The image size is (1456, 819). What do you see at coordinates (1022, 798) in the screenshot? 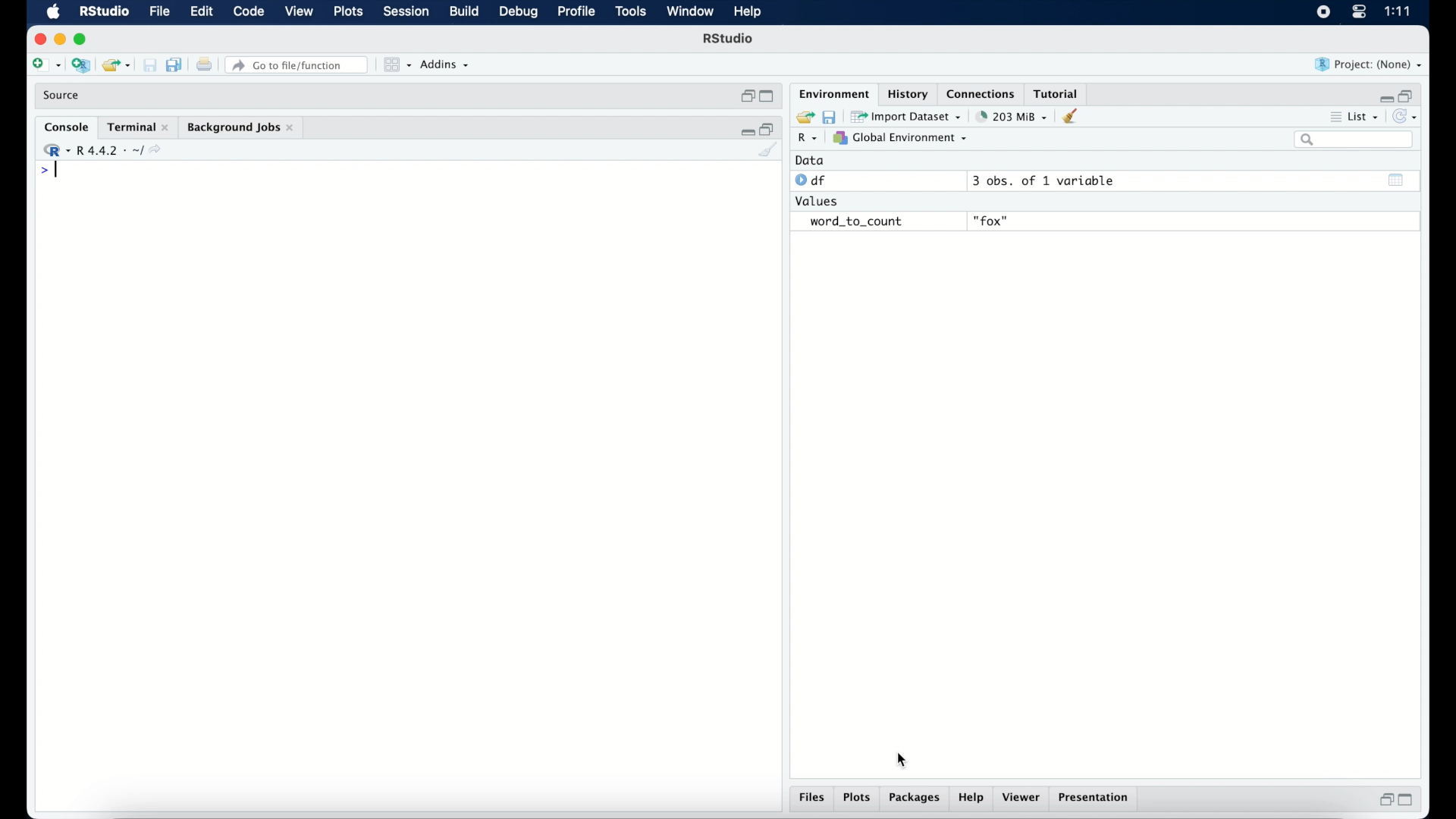
I see `viewer` at bounding box center [1022, 798].